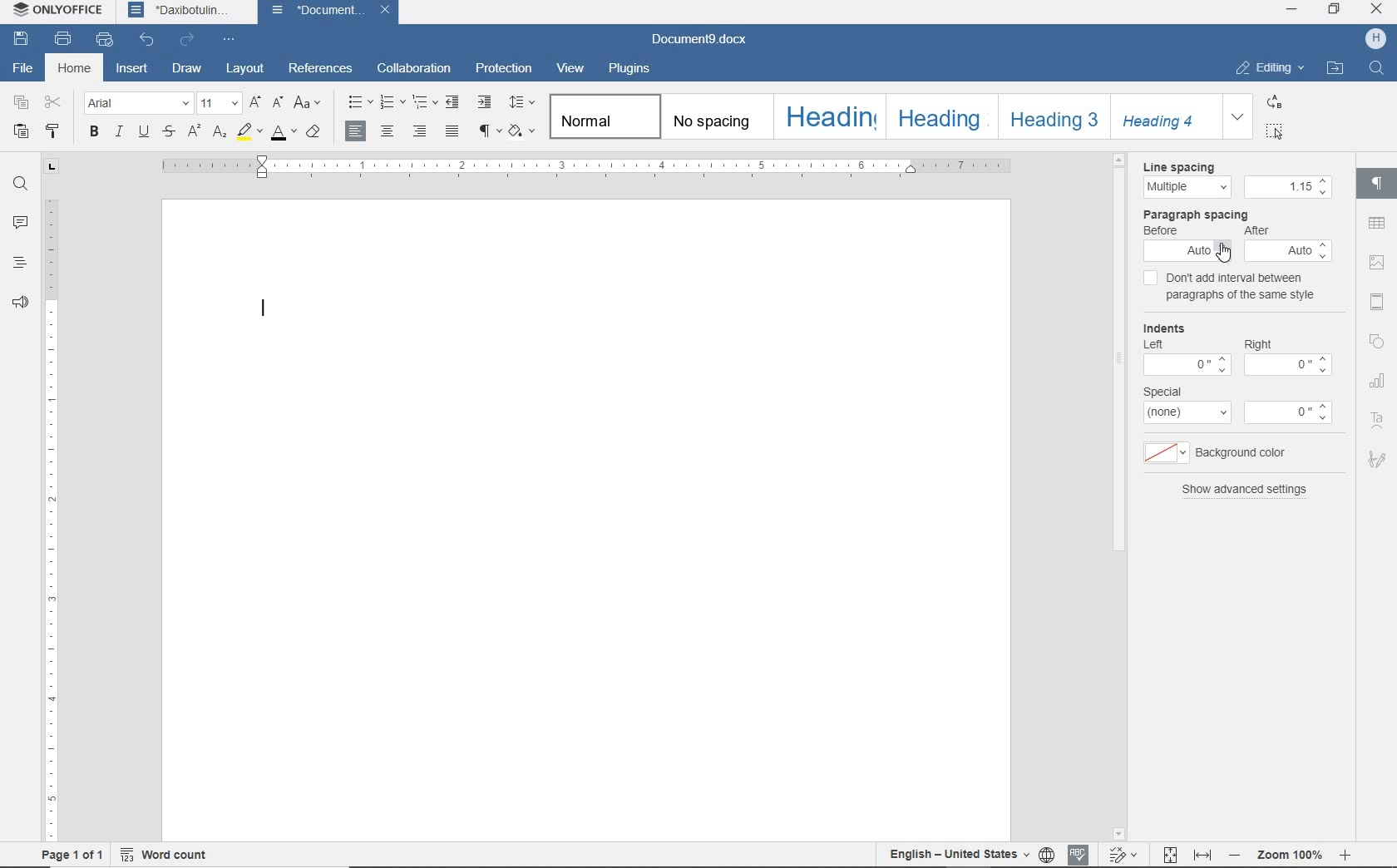 This screenshot has height=868, width=1397. I want to click on after, so click(1256, 230).